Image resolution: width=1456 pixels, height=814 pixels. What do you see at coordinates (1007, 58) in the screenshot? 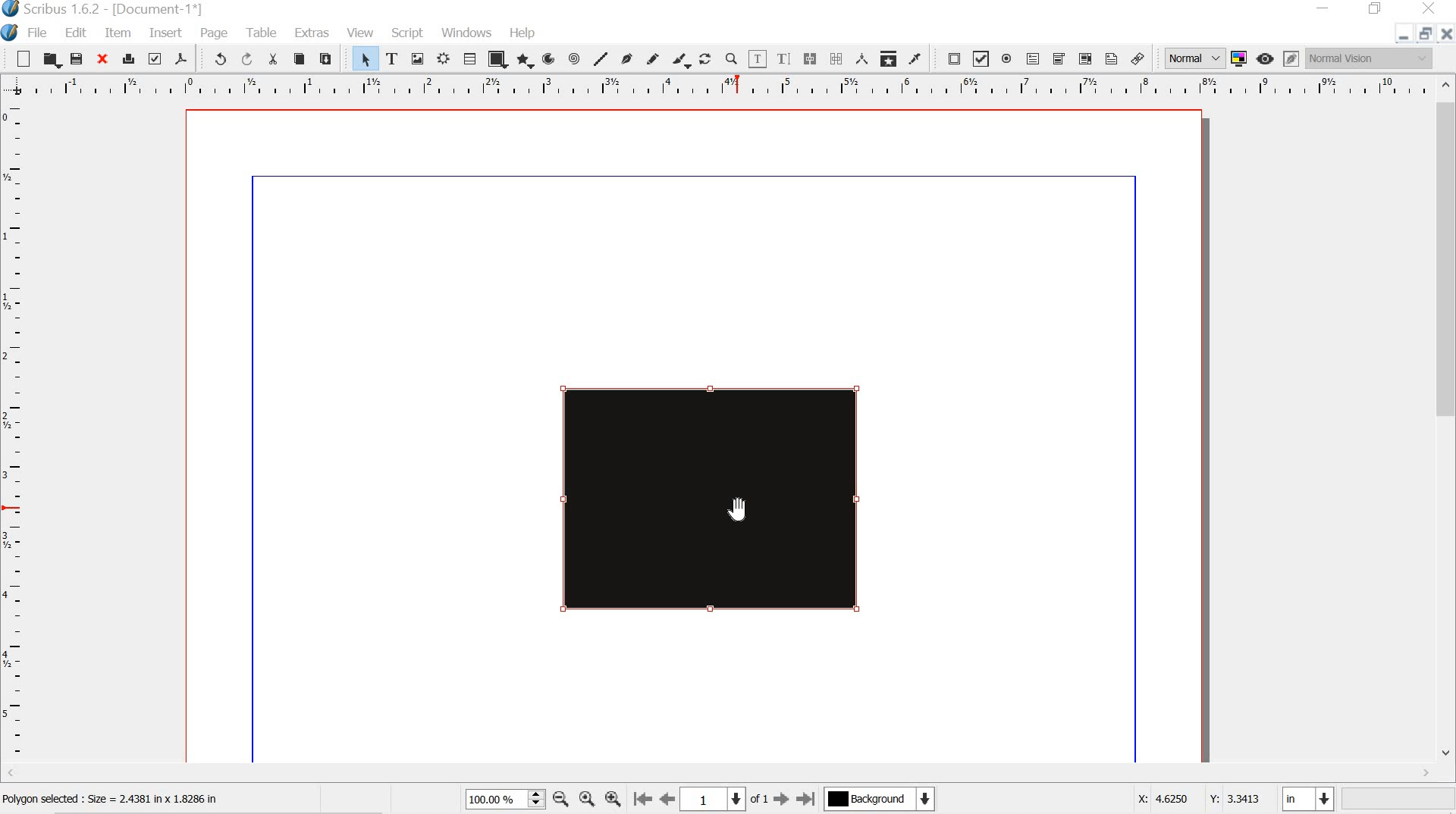
I see `pdf radio button` at bounding box center [1007, 58].